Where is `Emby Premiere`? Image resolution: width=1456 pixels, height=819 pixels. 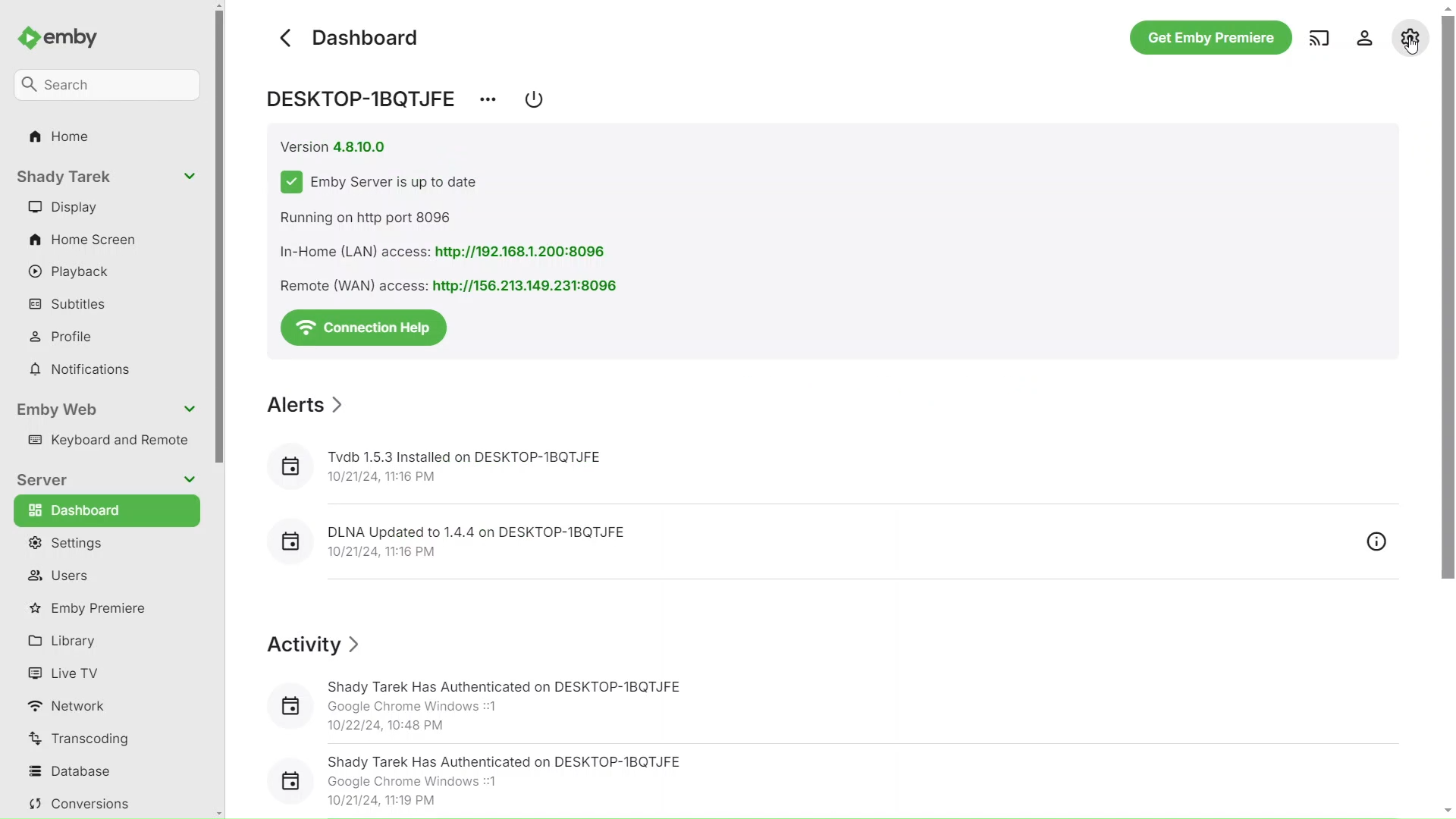 Emby Premiere is located at coordinates (103, 609).